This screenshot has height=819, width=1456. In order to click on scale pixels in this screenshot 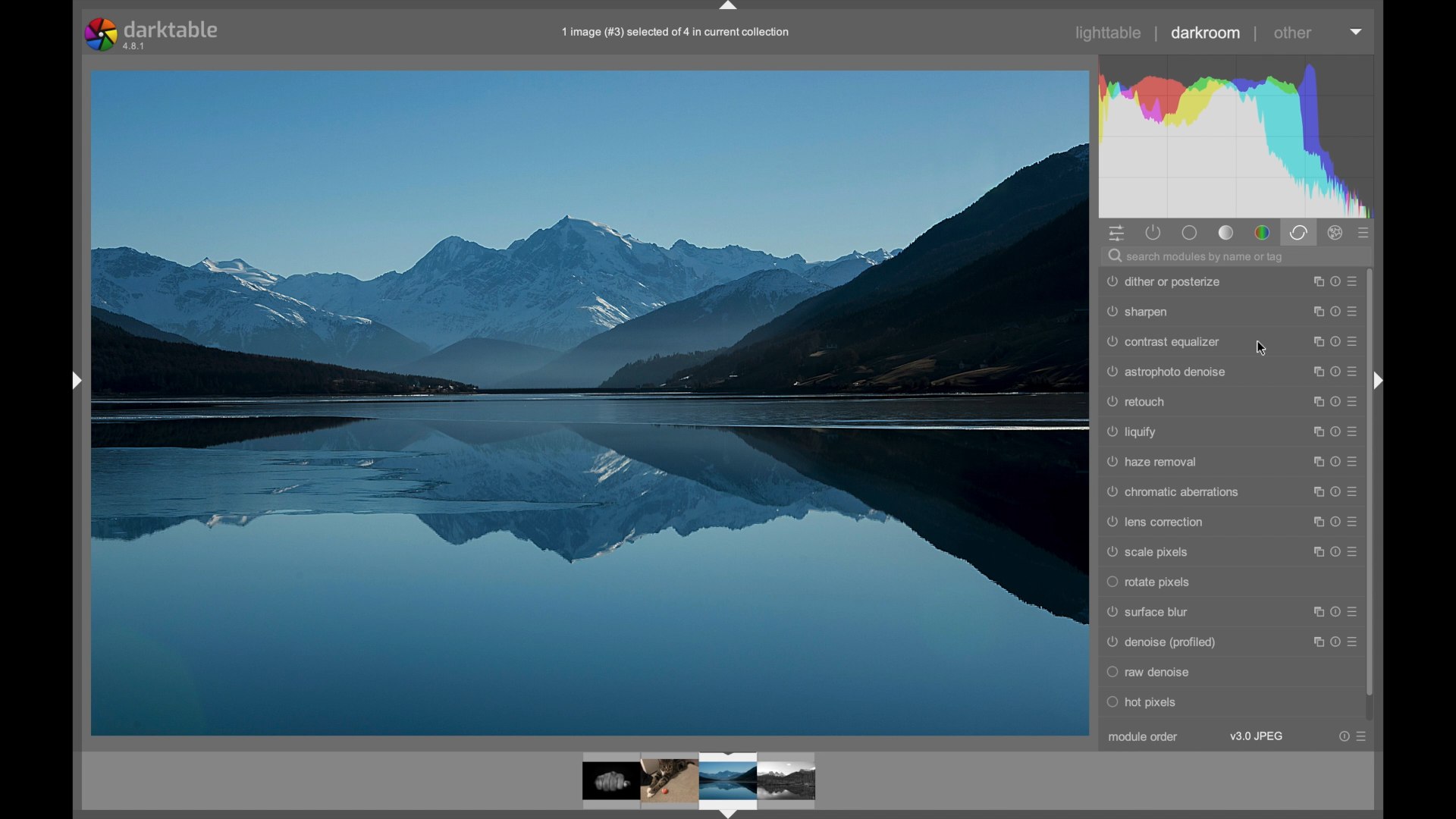, I will do `click(1150, 553)`.